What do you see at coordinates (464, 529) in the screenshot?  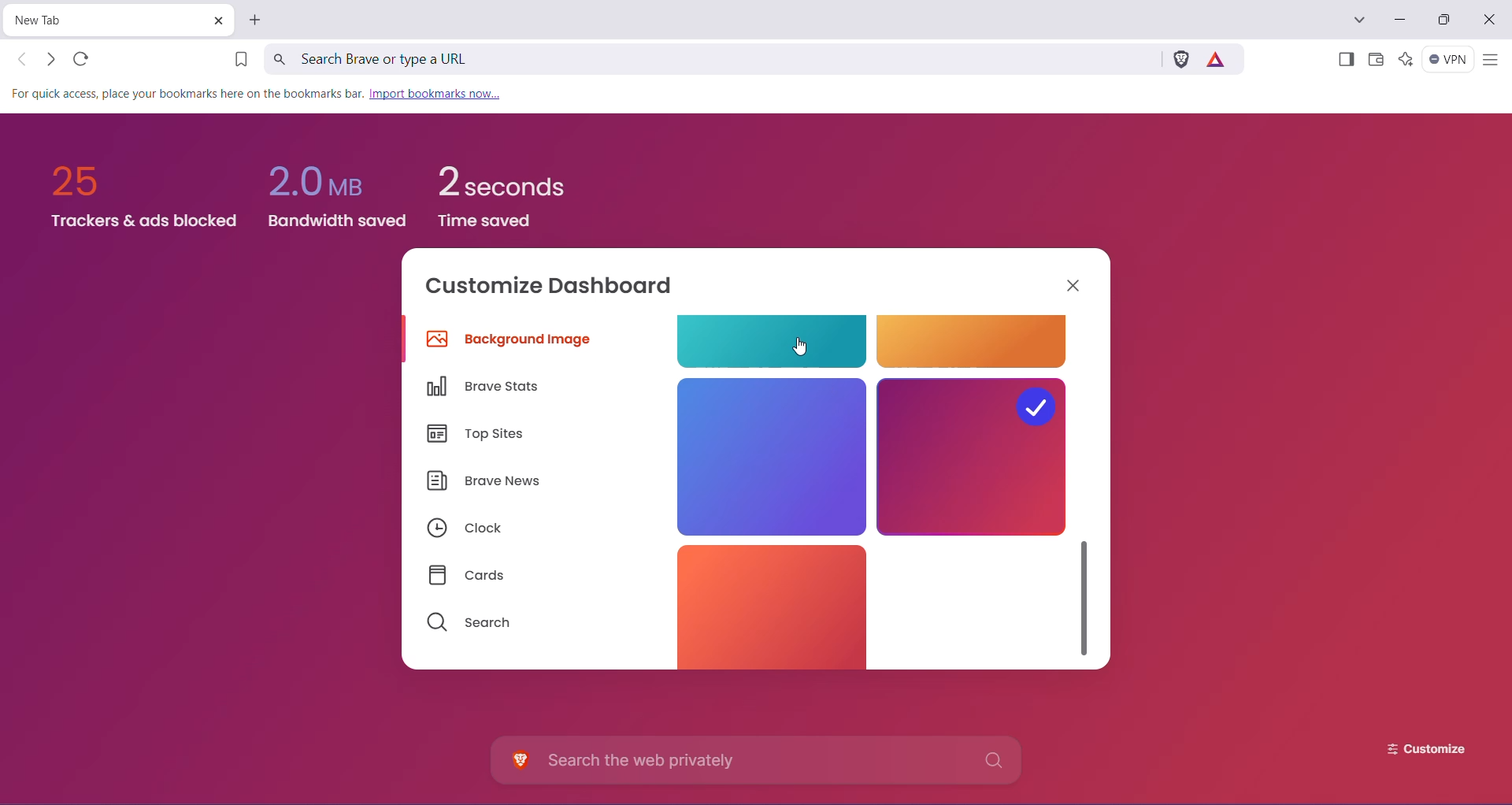 I see `Clock` at bounding box center [464, 529].